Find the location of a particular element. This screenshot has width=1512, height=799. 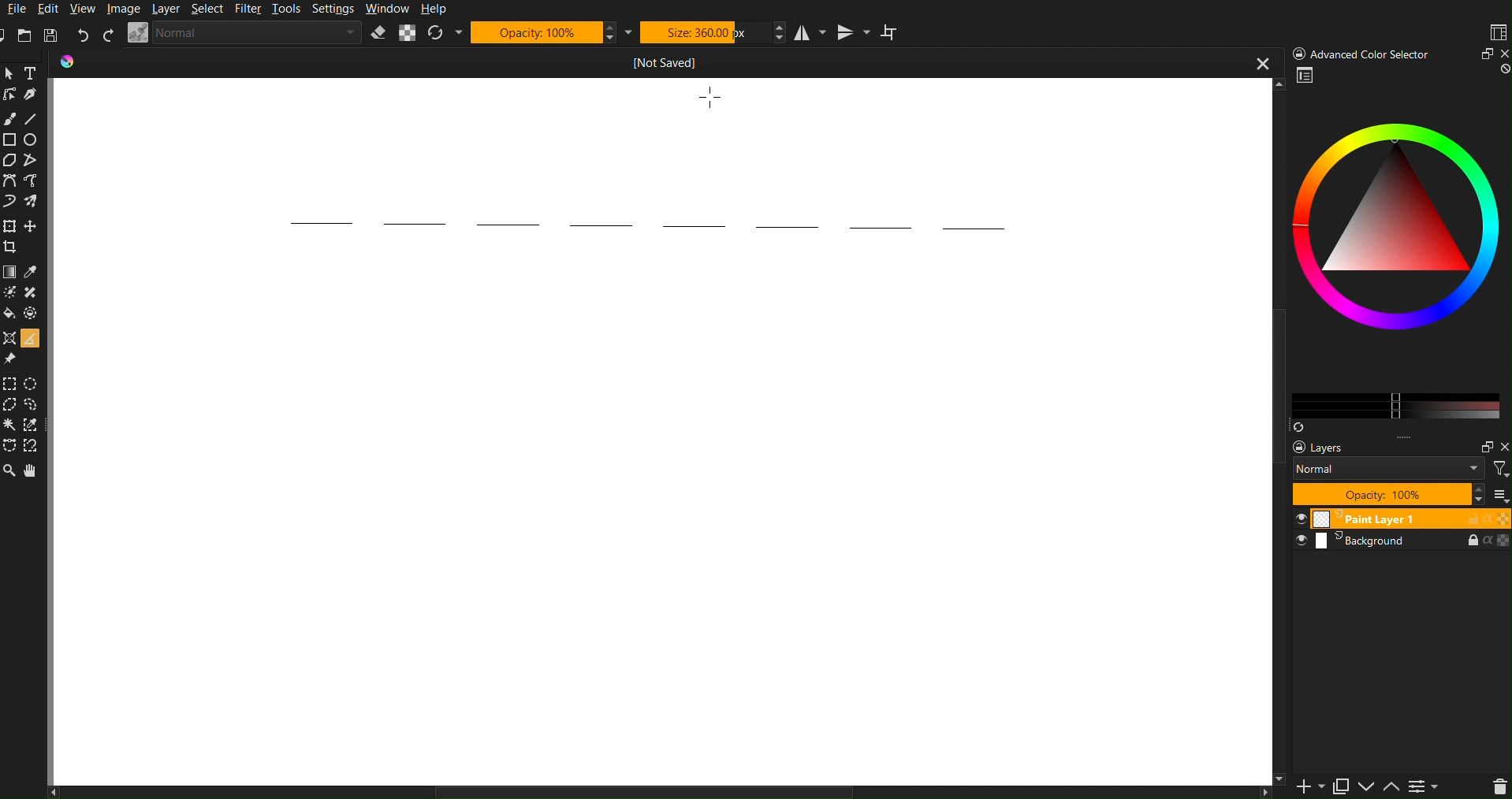

Advanced Color Selector is located at coordinates (1398, 53).